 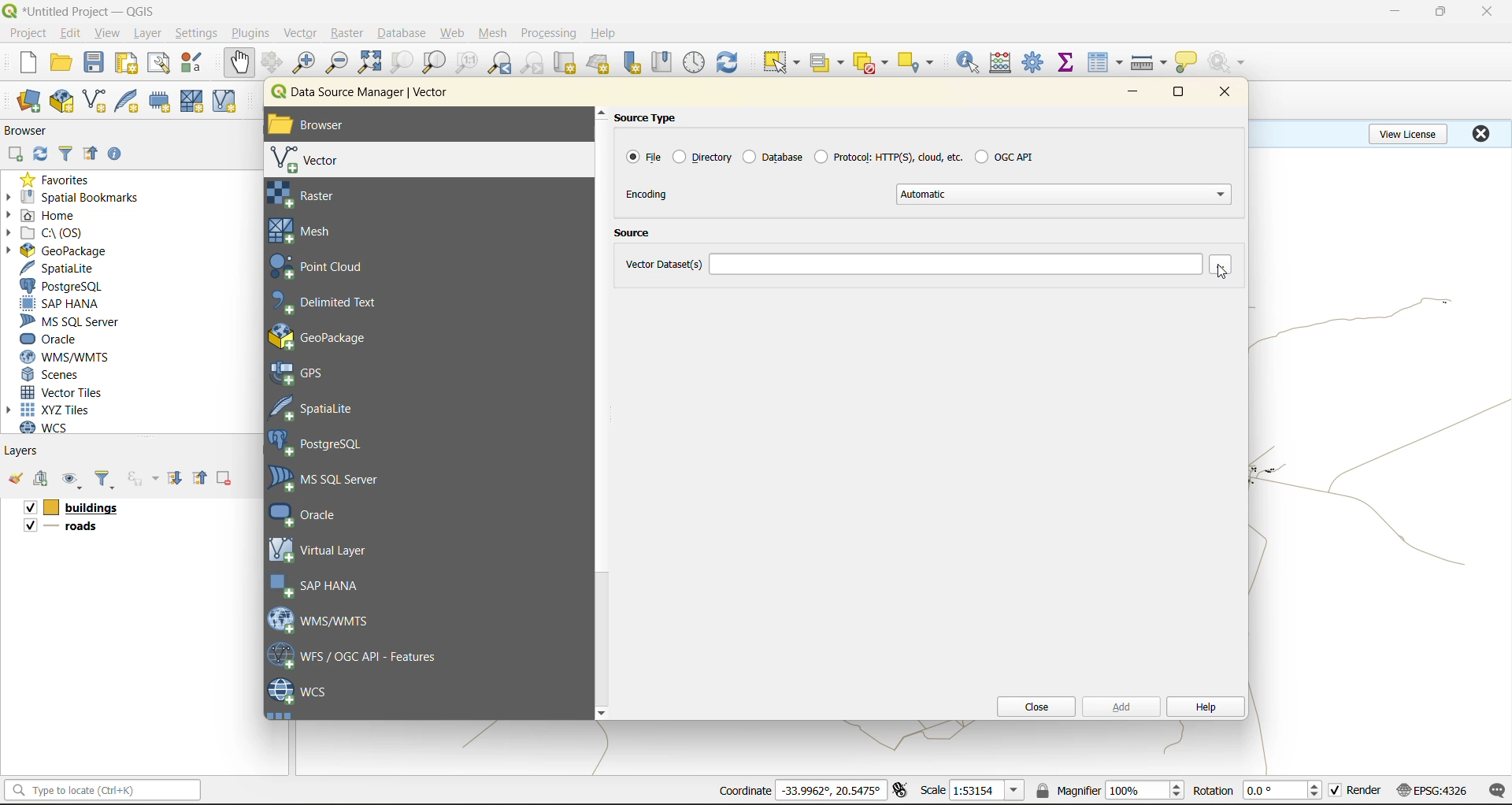 What do you see at coordinates (1066, 194) in the screenshot?
I see `automatic` at bounding box center [1066, 194].